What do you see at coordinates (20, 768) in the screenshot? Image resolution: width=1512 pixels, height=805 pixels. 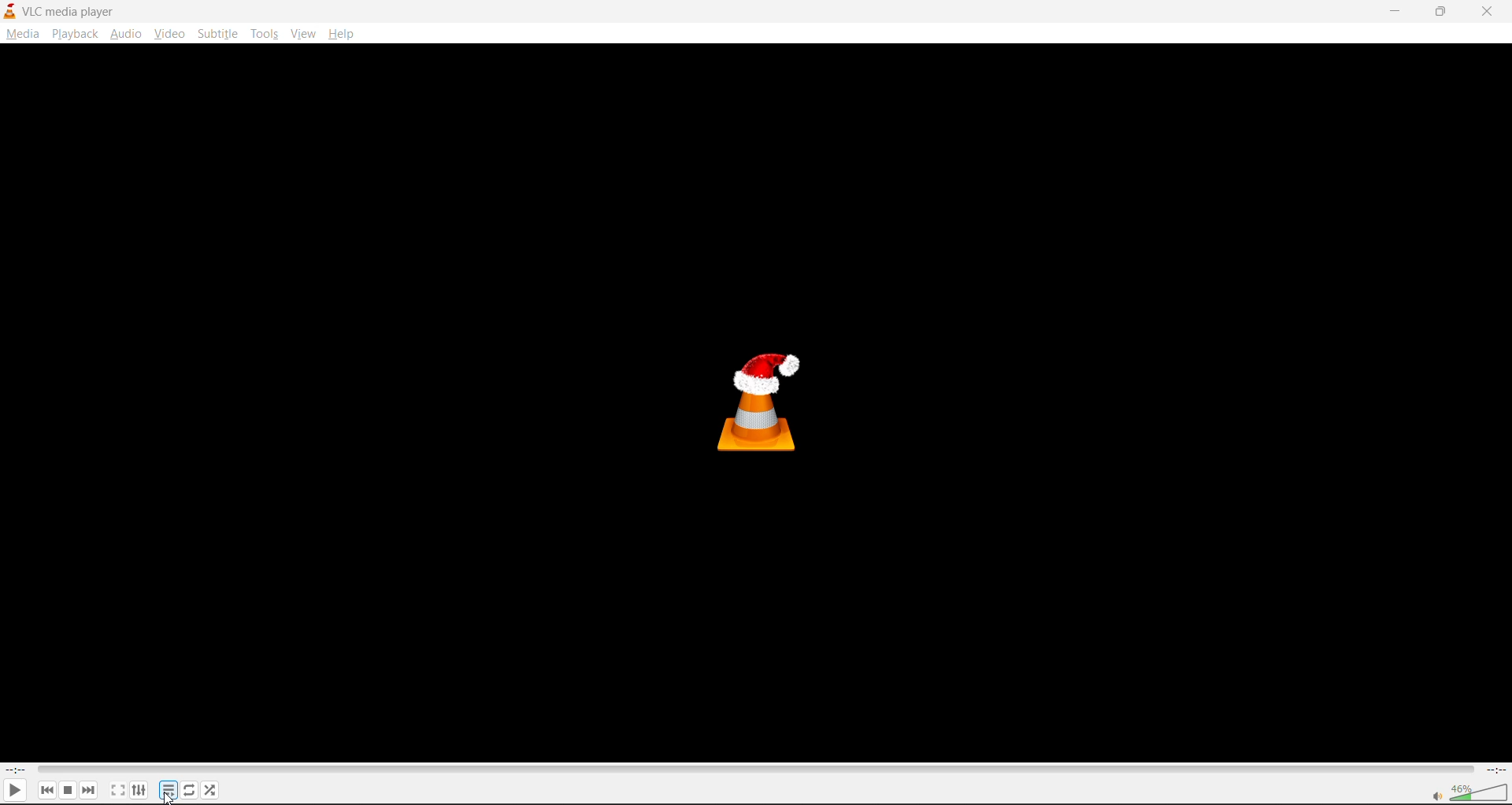 I see `current track time` at bounding box center [20, 768].